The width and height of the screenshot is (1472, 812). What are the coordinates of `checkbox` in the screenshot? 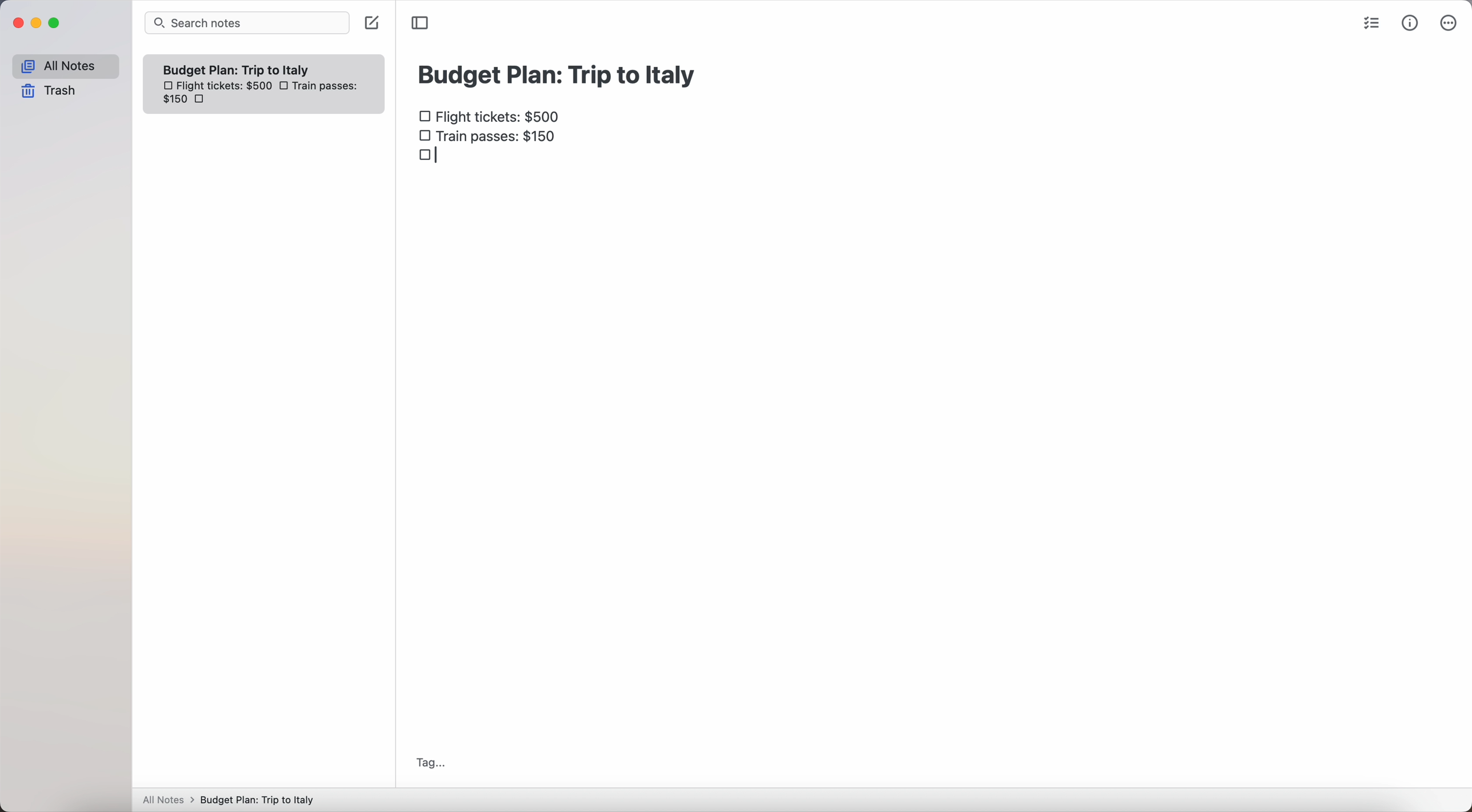 It's located at (431, 161).